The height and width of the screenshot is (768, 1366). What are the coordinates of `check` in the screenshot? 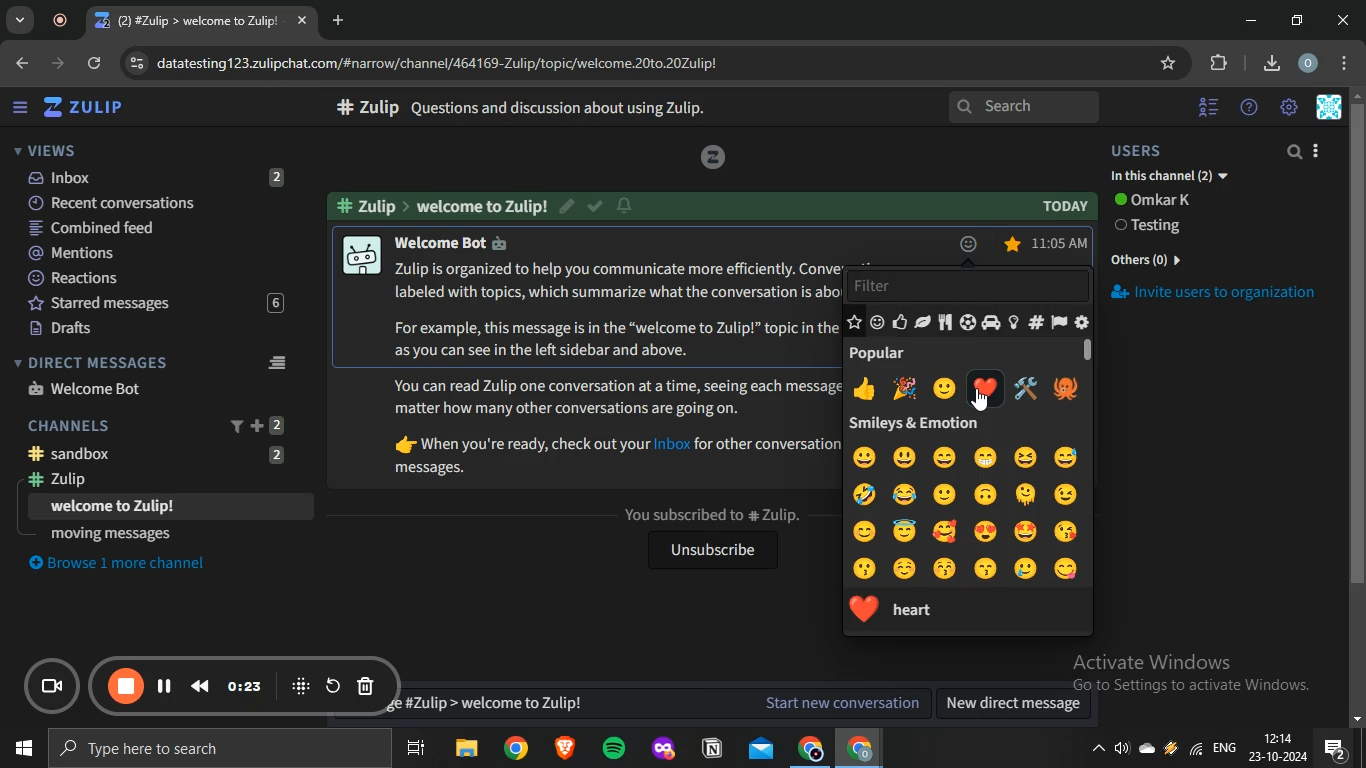 It's located at (597, 208).